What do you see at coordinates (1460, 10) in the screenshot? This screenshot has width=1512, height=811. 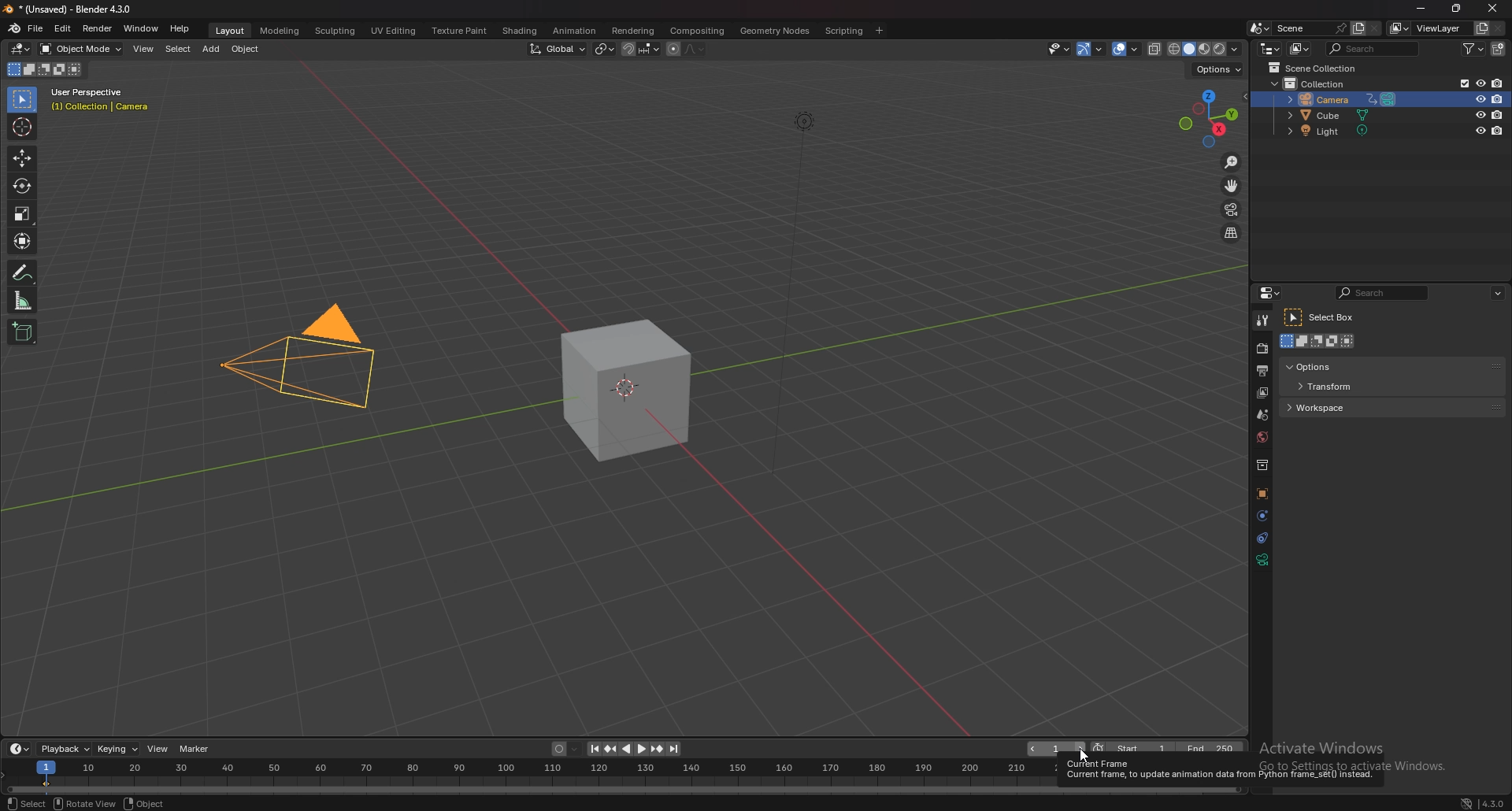 I see `resize` at bounding box center [1460, 10].